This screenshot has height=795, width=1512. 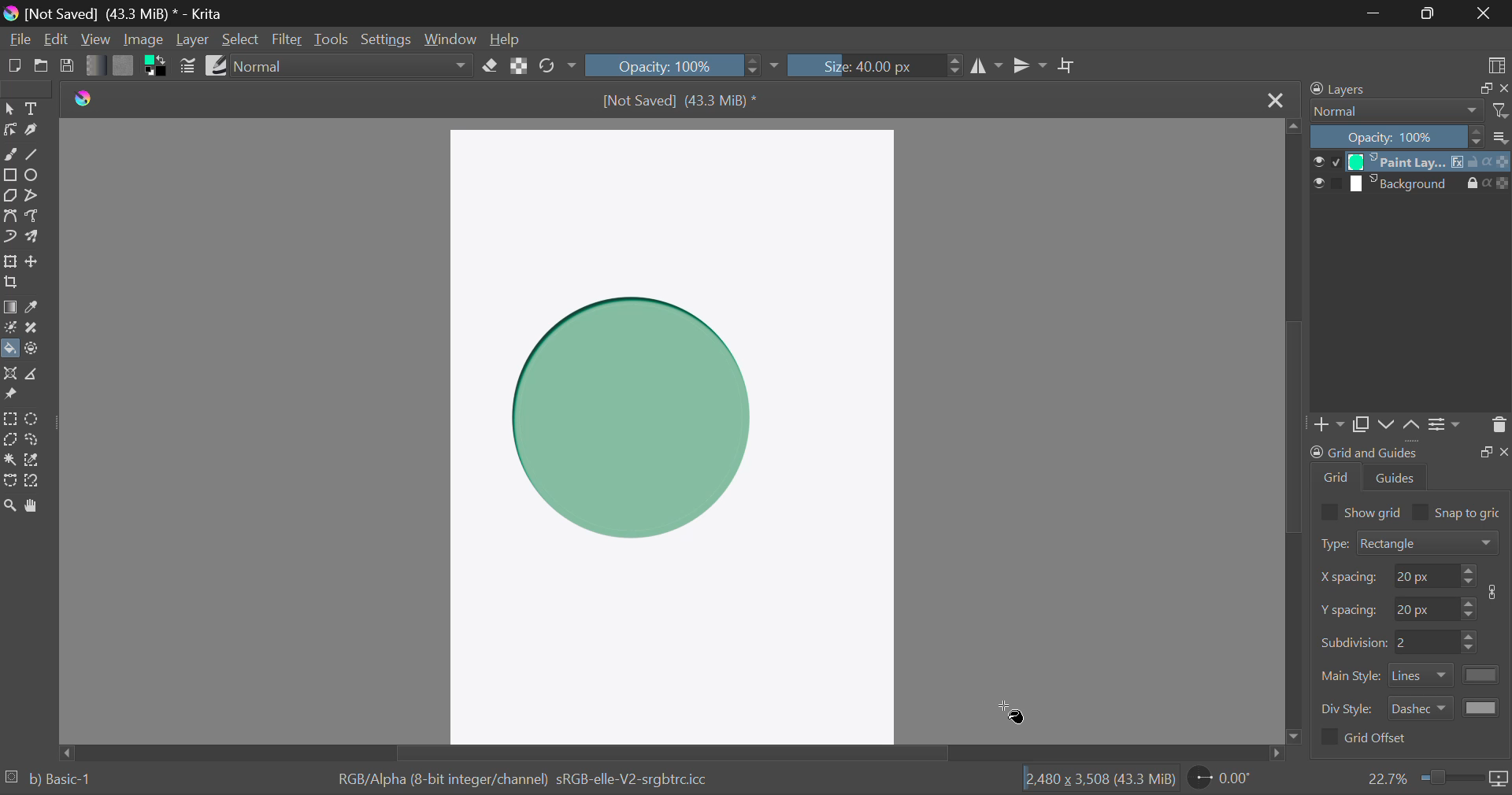 What do you see at coordinates (1399, 162) in the screenshot?
I see `Cursor on Layer` at bounding box center [1399, 162].